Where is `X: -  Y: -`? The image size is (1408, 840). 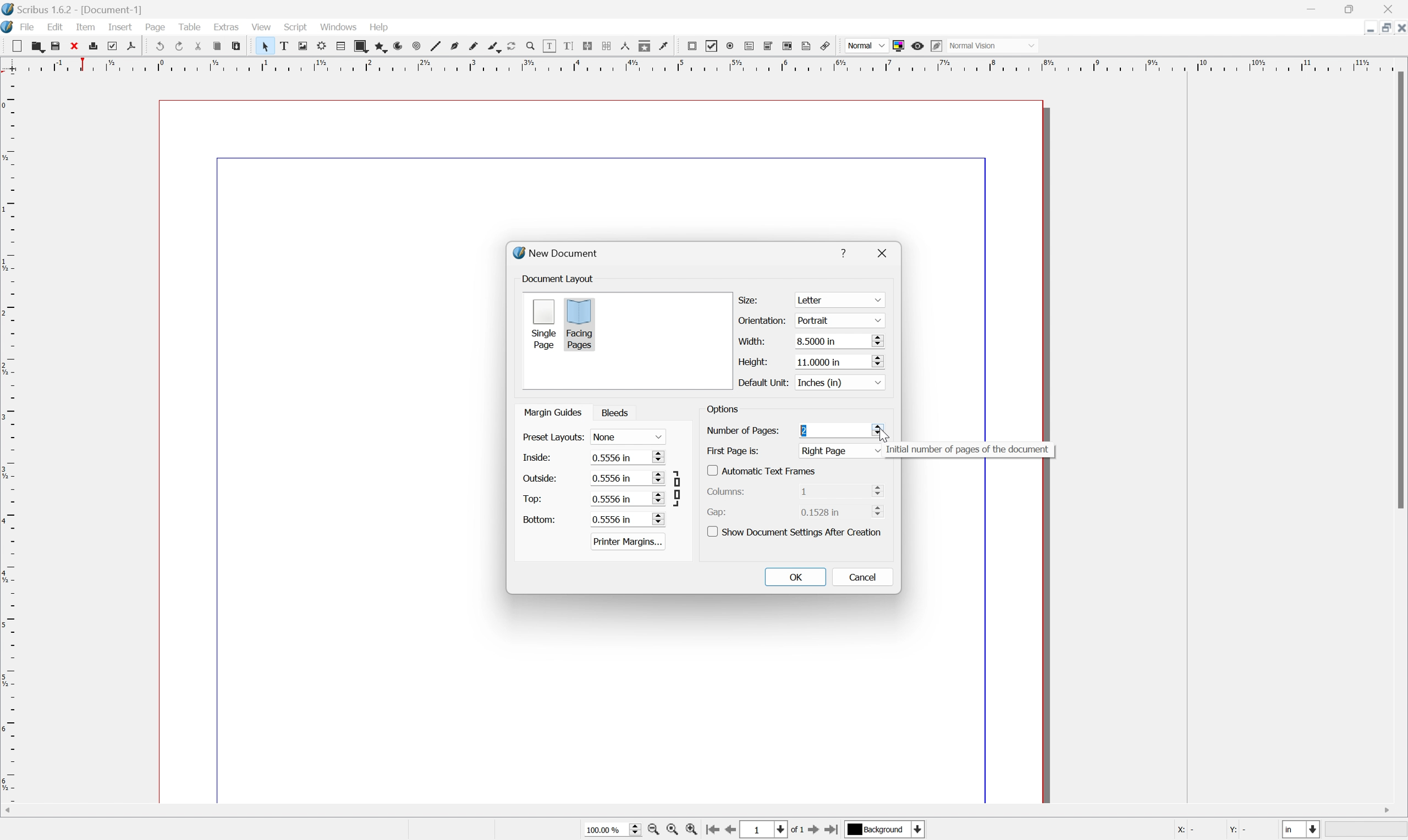
X: -  Y: - is located at coordinates (1212, 830).